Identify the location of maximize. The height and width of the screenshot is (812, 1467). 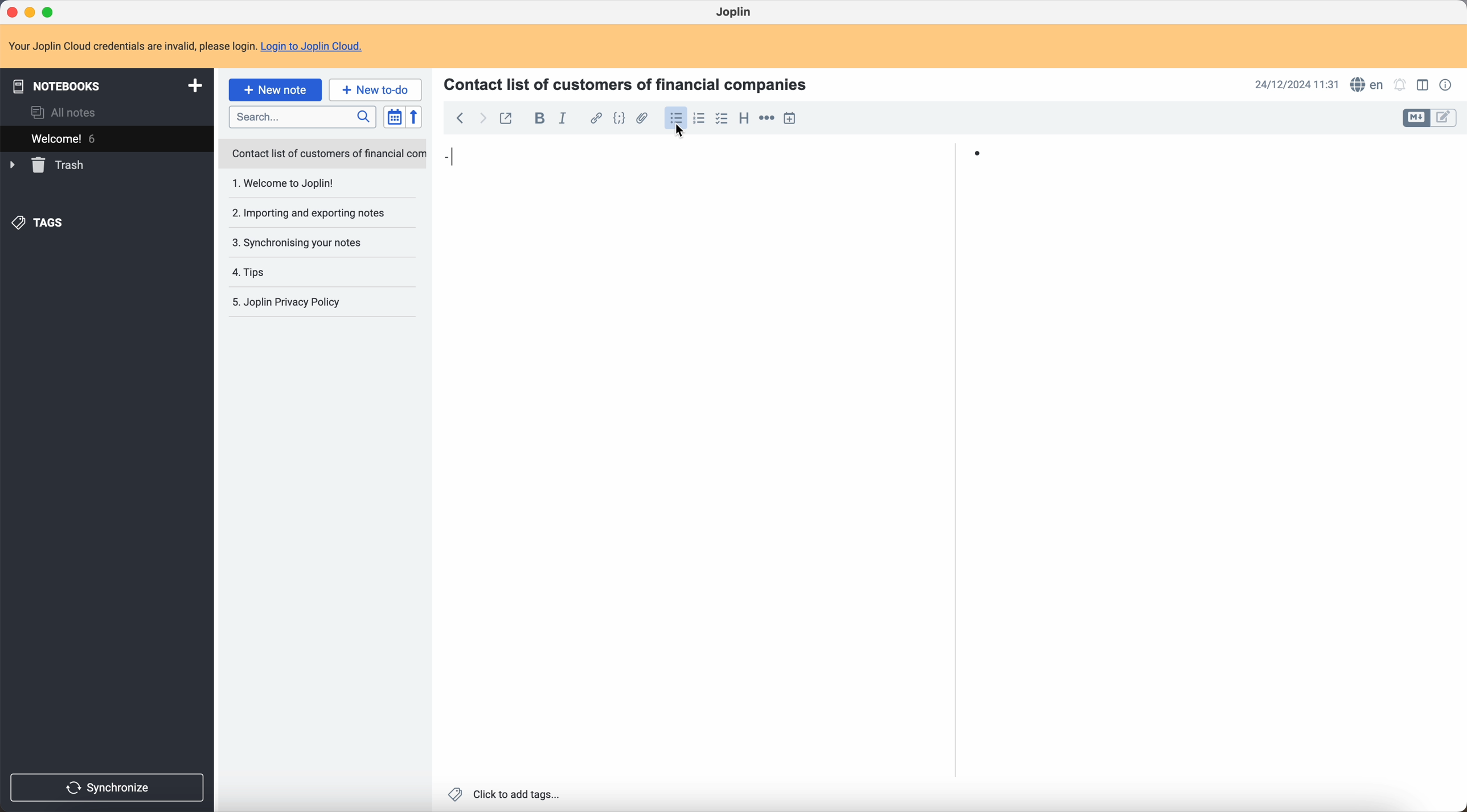
(51, 10).